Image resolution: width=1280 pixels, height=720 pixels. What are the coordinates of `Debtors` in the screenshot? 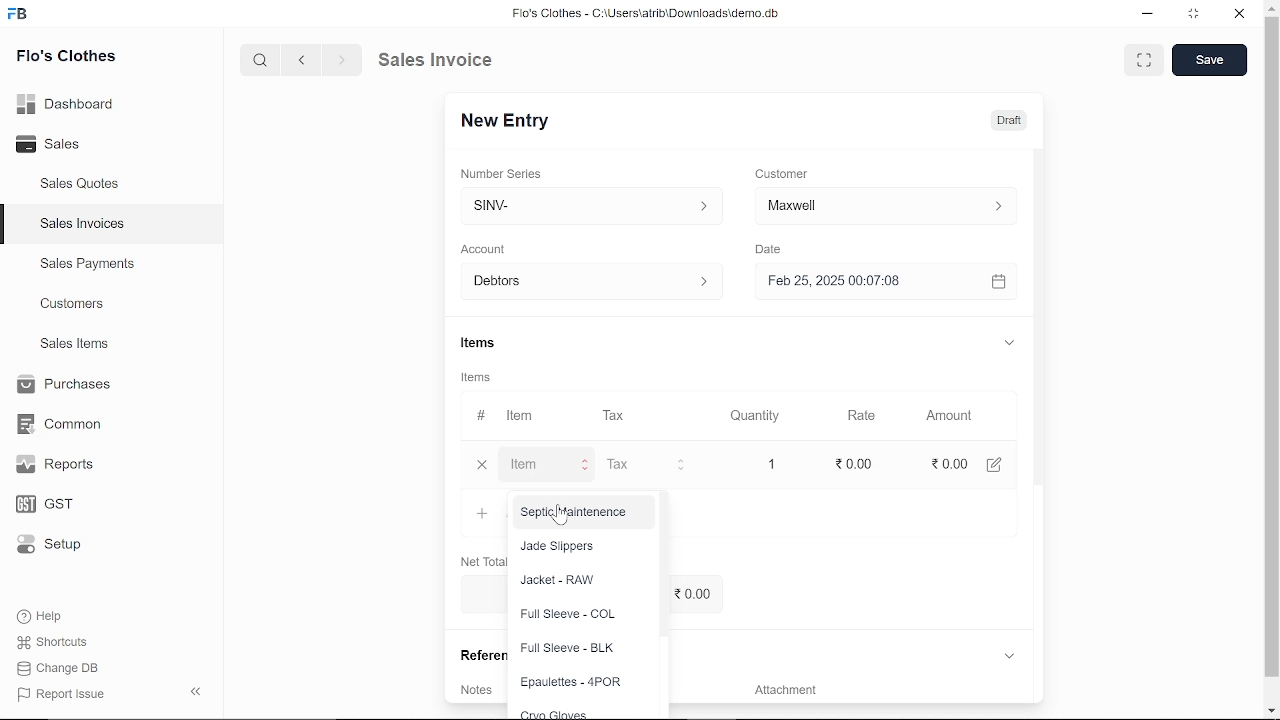 It's located at (596, 281).